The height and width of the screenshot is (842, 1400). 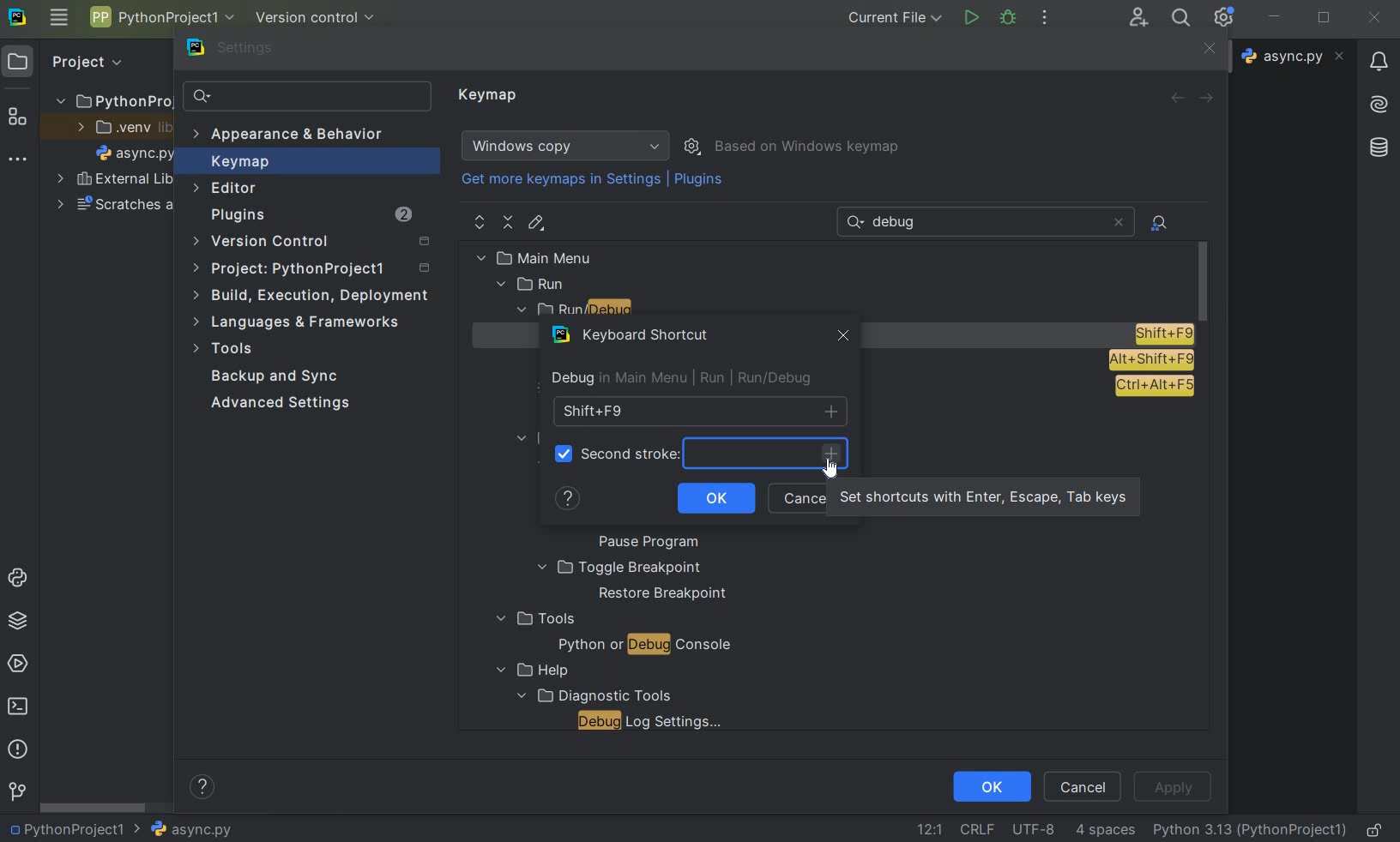 What do you see at coordinates (1381, 145) in the screenshot?
I see `database` at bounding box center [1381, 145].